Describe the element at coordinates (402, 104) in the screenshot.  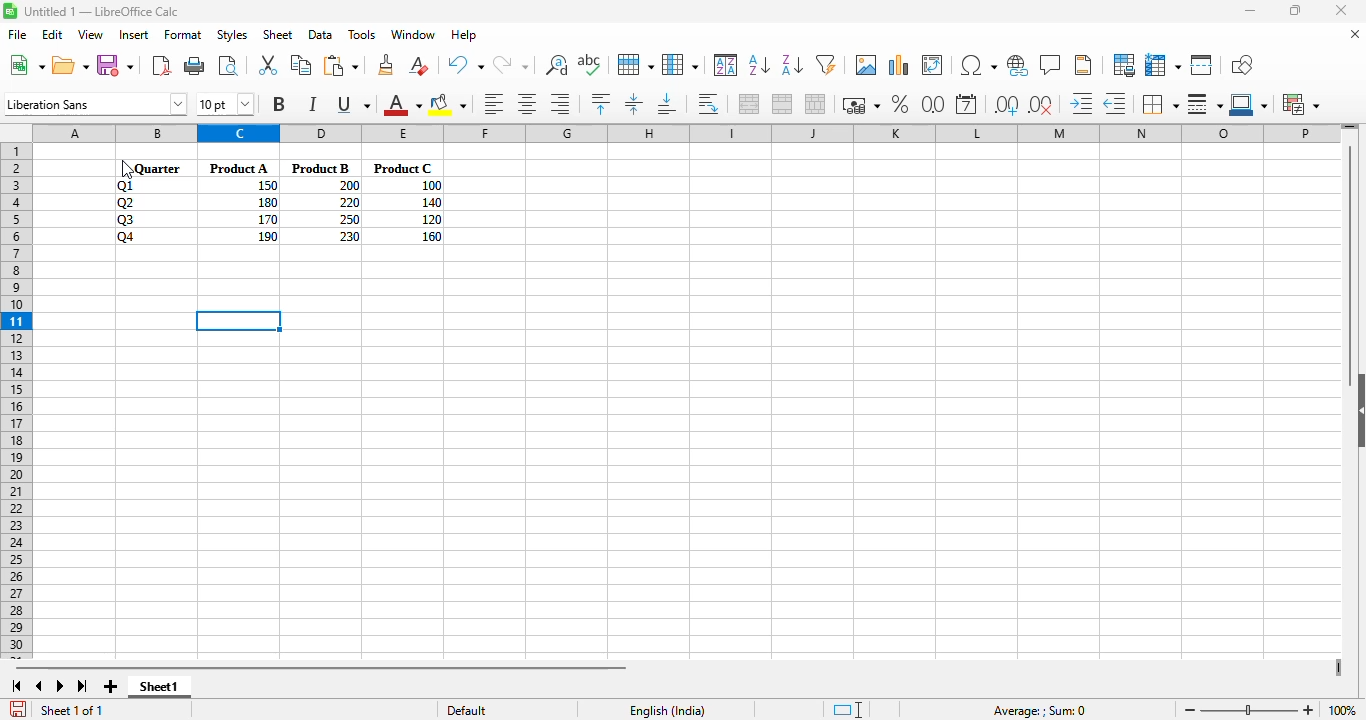
I see `font color` at that location.